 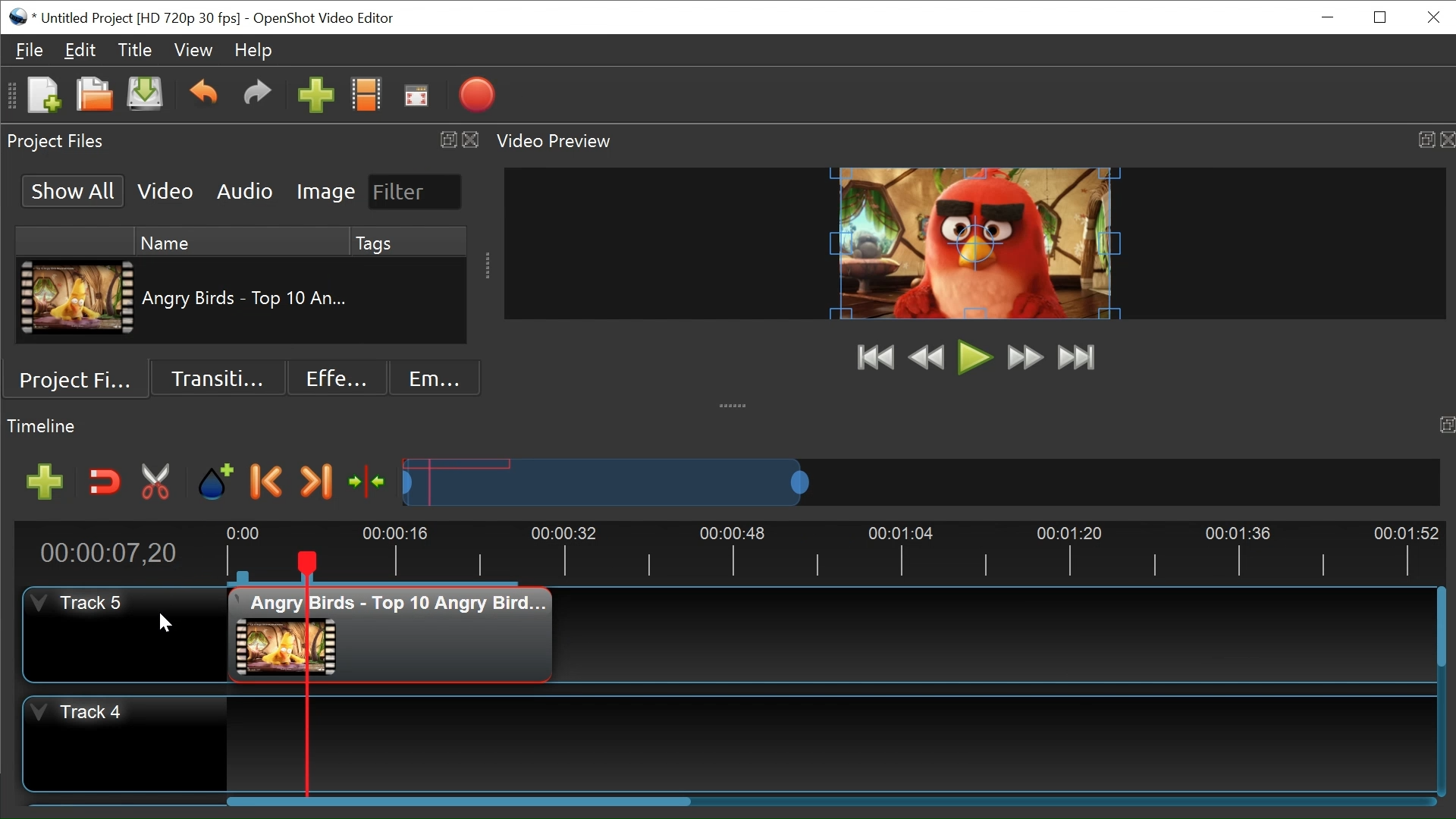 I want to click on Restore, so click(x=1379, y=19).